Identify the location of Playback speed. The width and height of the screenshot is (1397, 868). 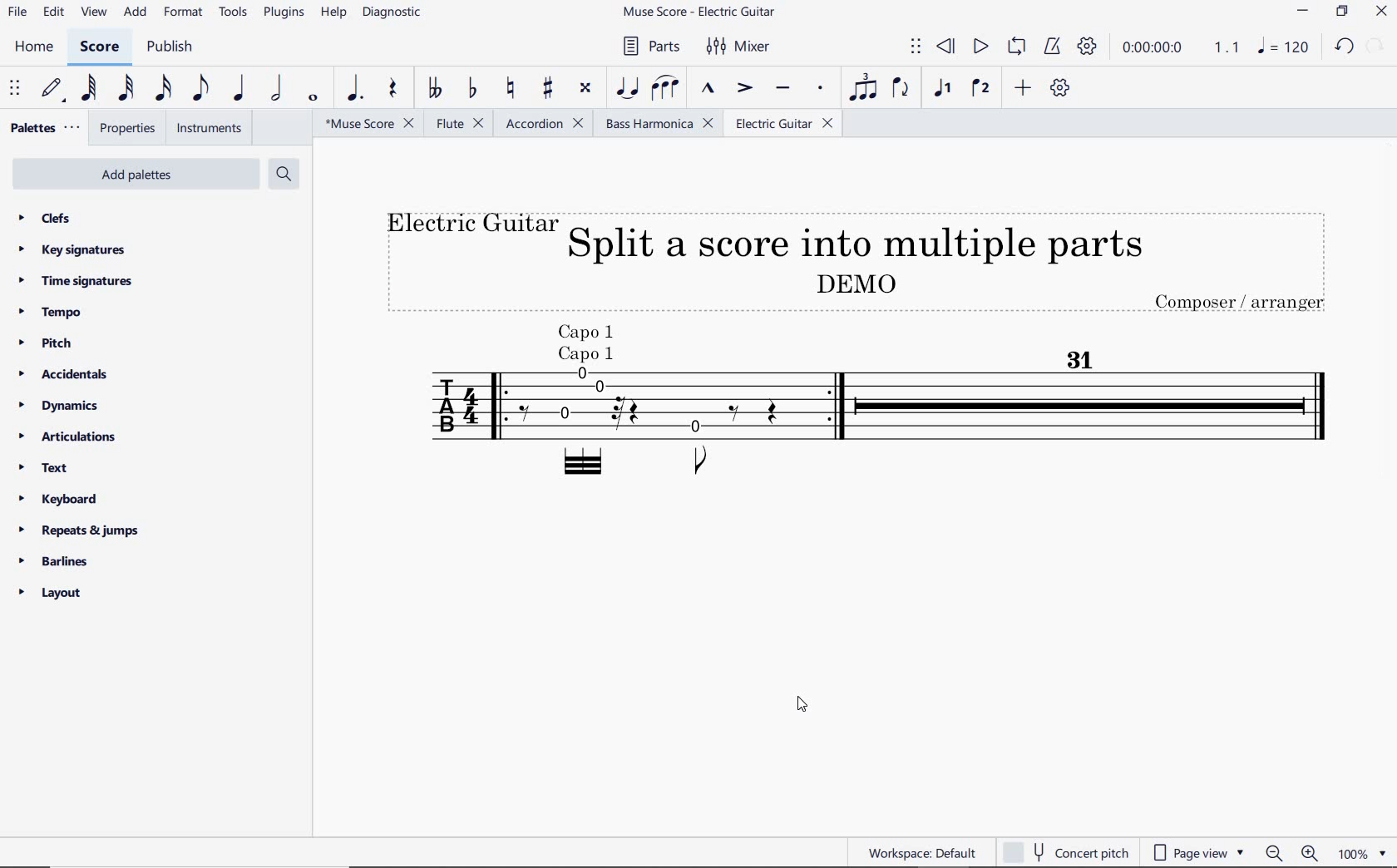
(1228, 47).